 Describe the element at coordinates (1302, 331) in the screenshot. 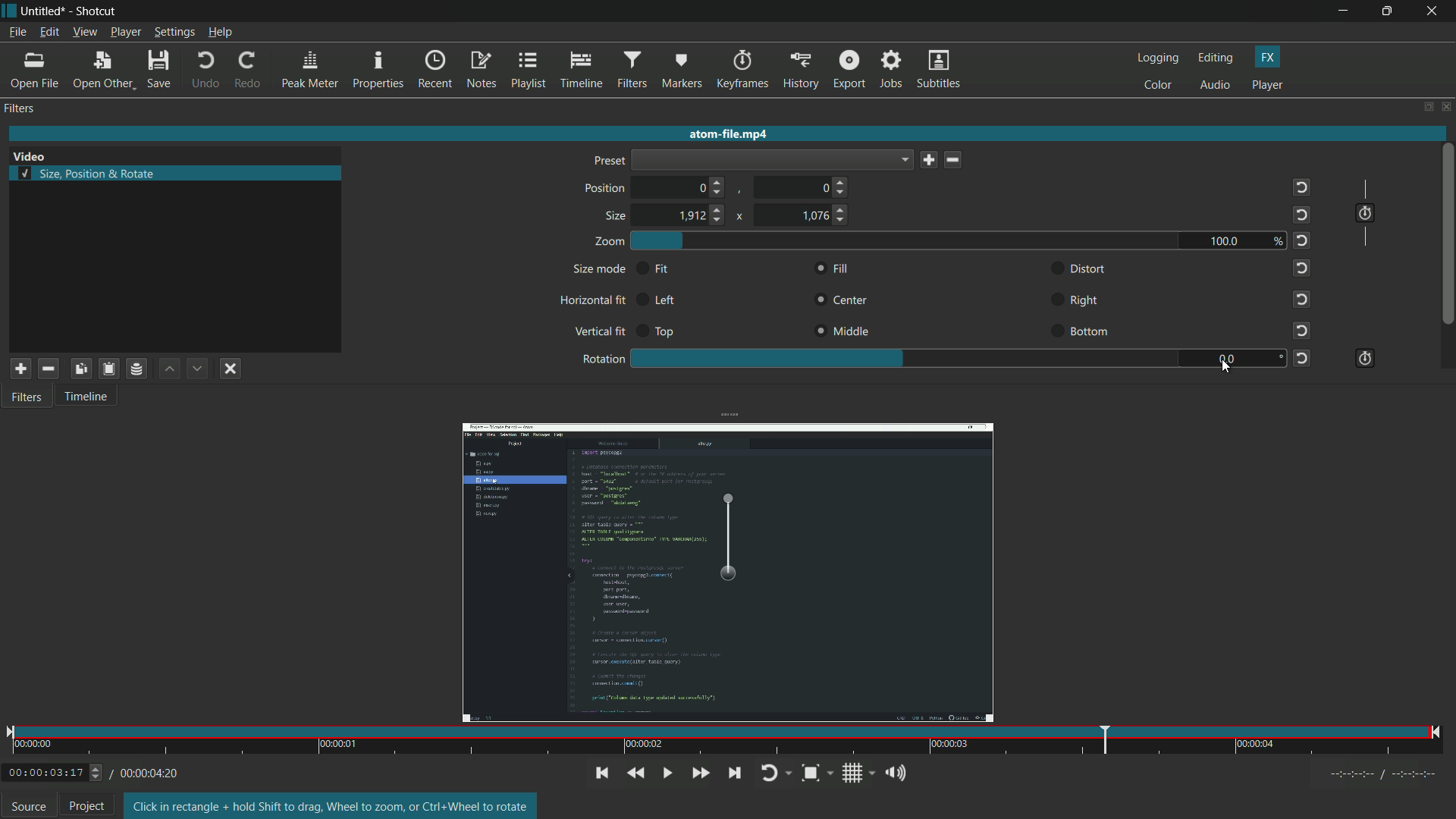

I see `` at that location.